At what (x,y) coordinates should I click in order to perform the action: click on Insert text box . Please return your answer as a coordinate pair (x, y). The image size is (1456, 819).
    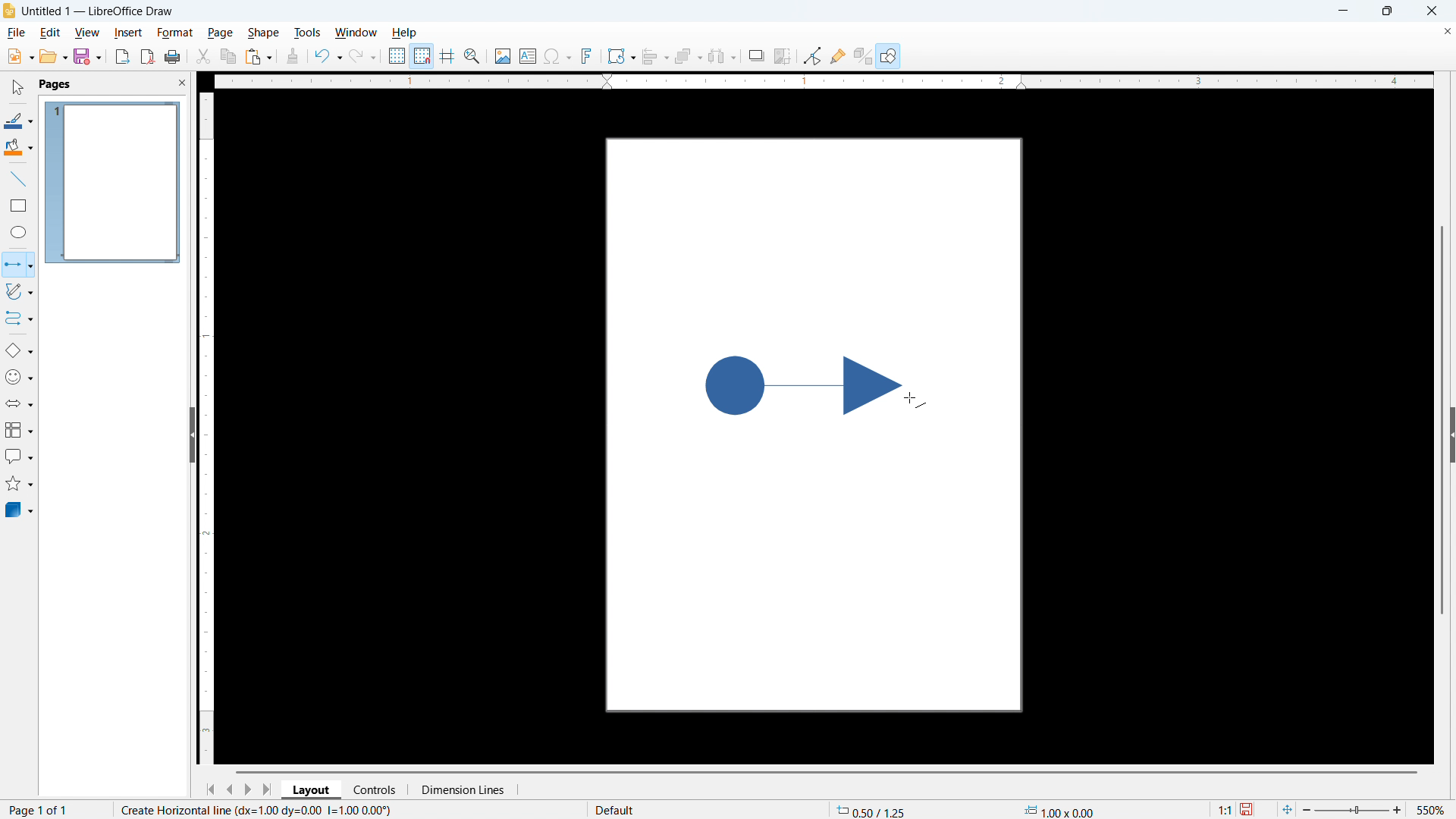
    Looking at the image, I should click on (529, 55).